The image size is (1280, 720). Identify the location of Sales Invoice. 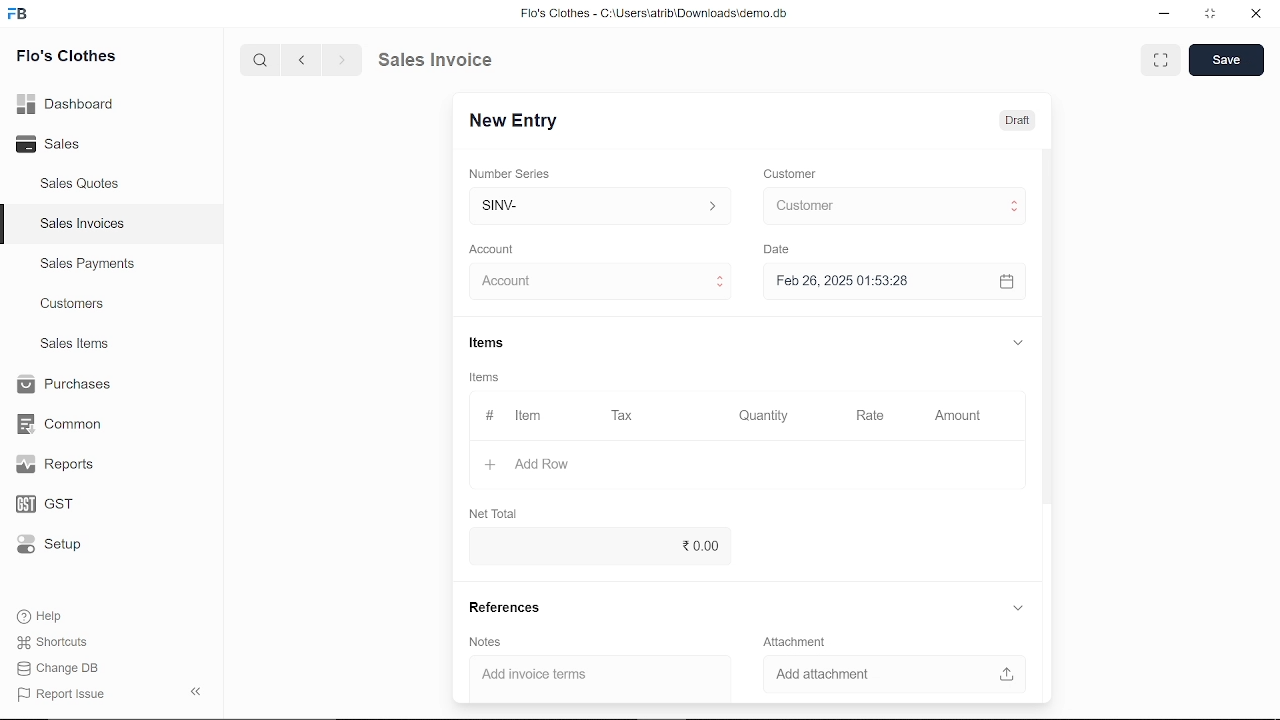
(450, 59).